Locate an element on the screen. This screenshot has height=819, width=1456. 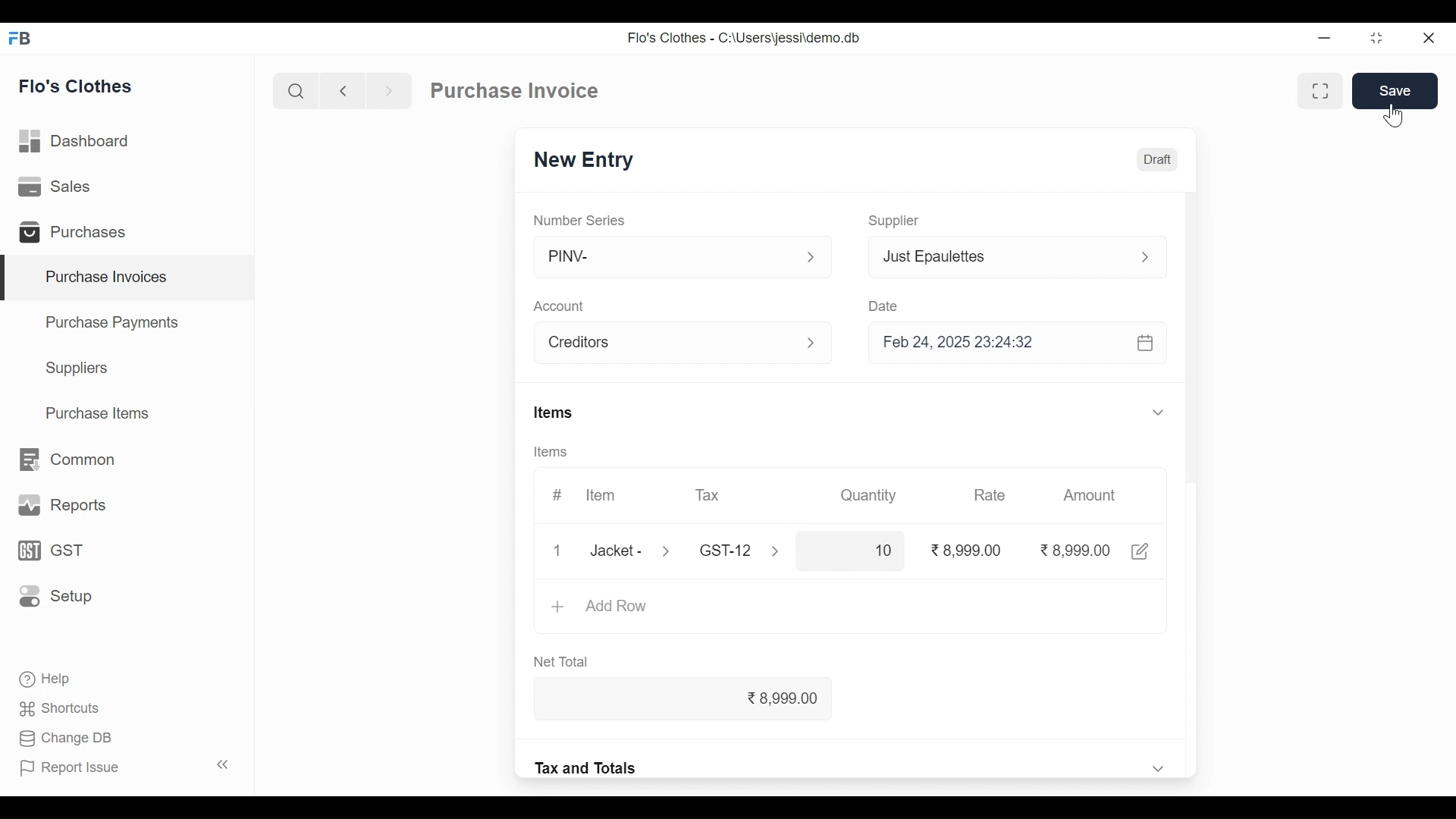
Purchases is located at coordinates (77, 233).